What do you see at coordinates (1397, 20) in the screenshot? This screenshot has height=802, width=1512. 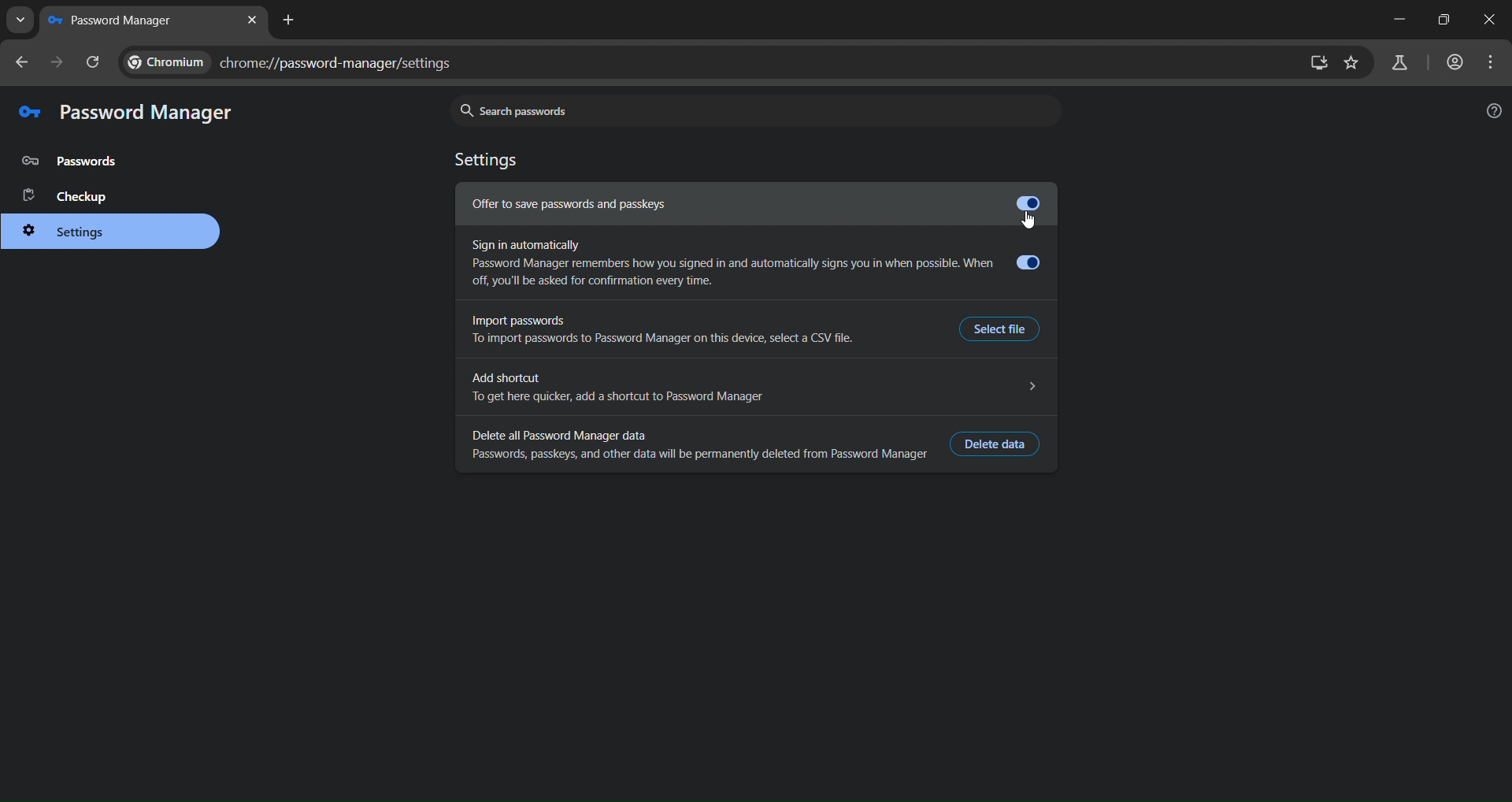 I see `minimize` at bounding box center [1397, 20].